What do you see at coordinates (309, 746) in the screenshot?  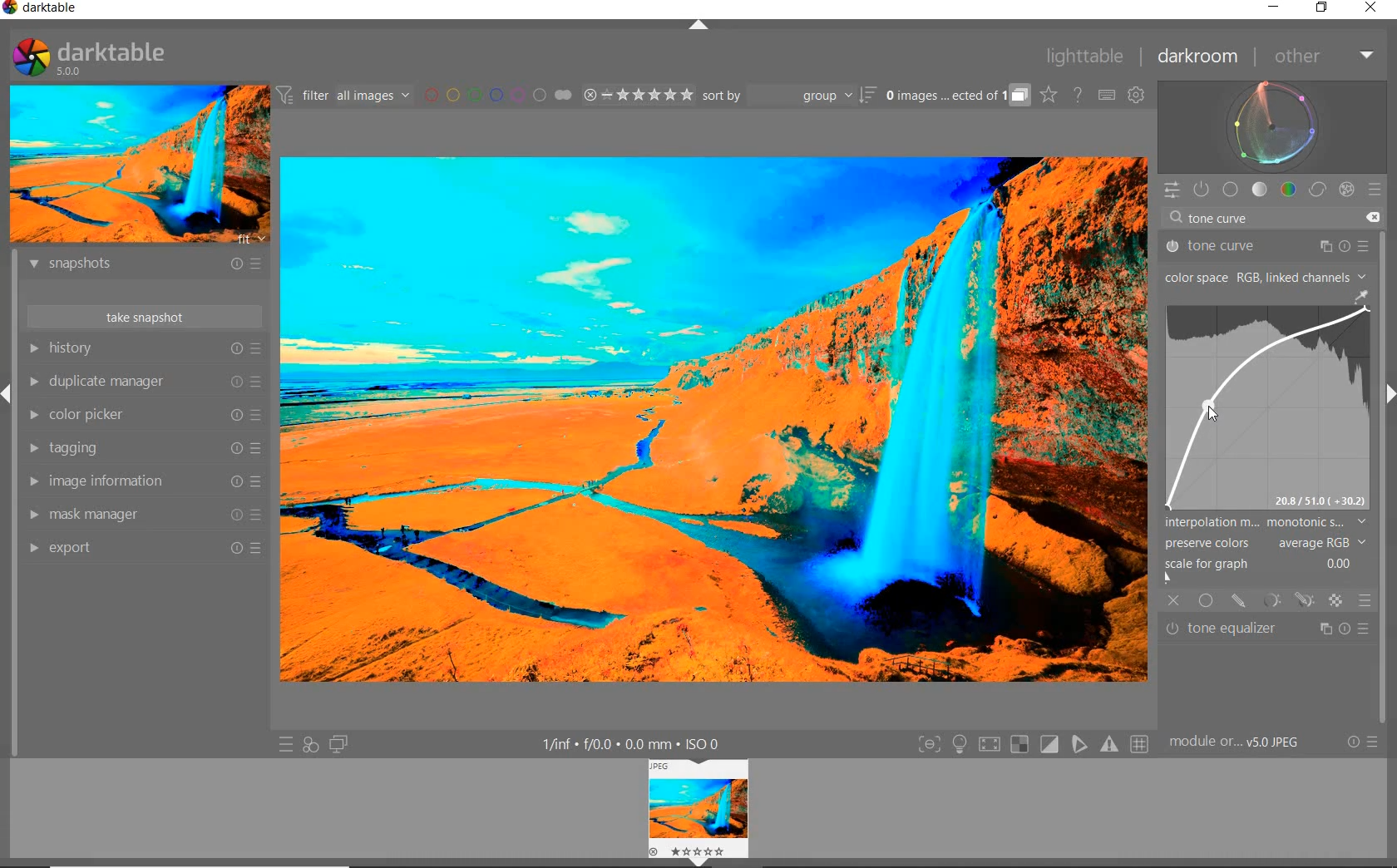 I see `QUICK ACCESS FOR APPLYING ANY OF YOUR STYLES` at bounding box center [309, 746].